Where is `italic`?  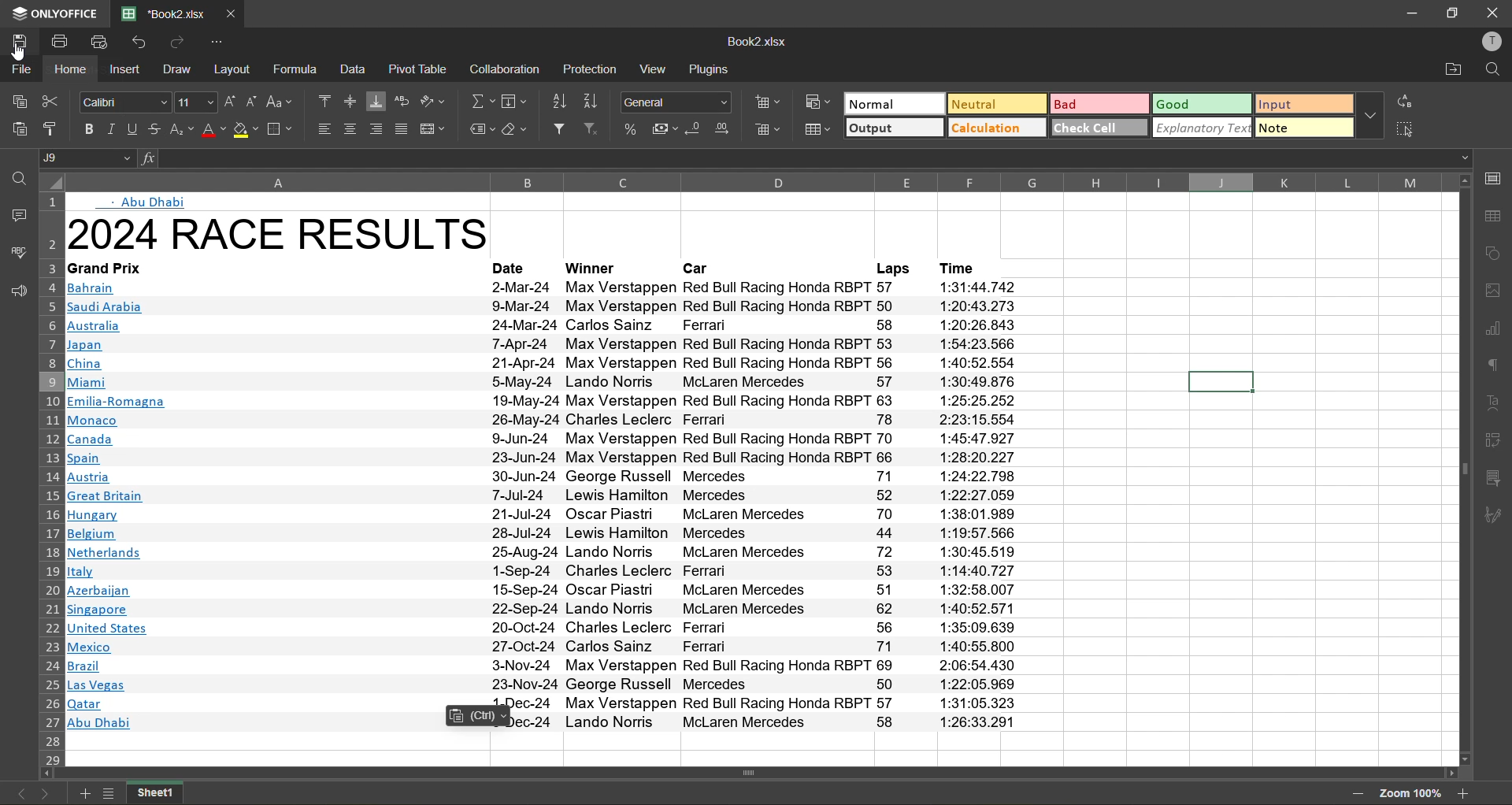 italic is located at coordinates (109, 127).